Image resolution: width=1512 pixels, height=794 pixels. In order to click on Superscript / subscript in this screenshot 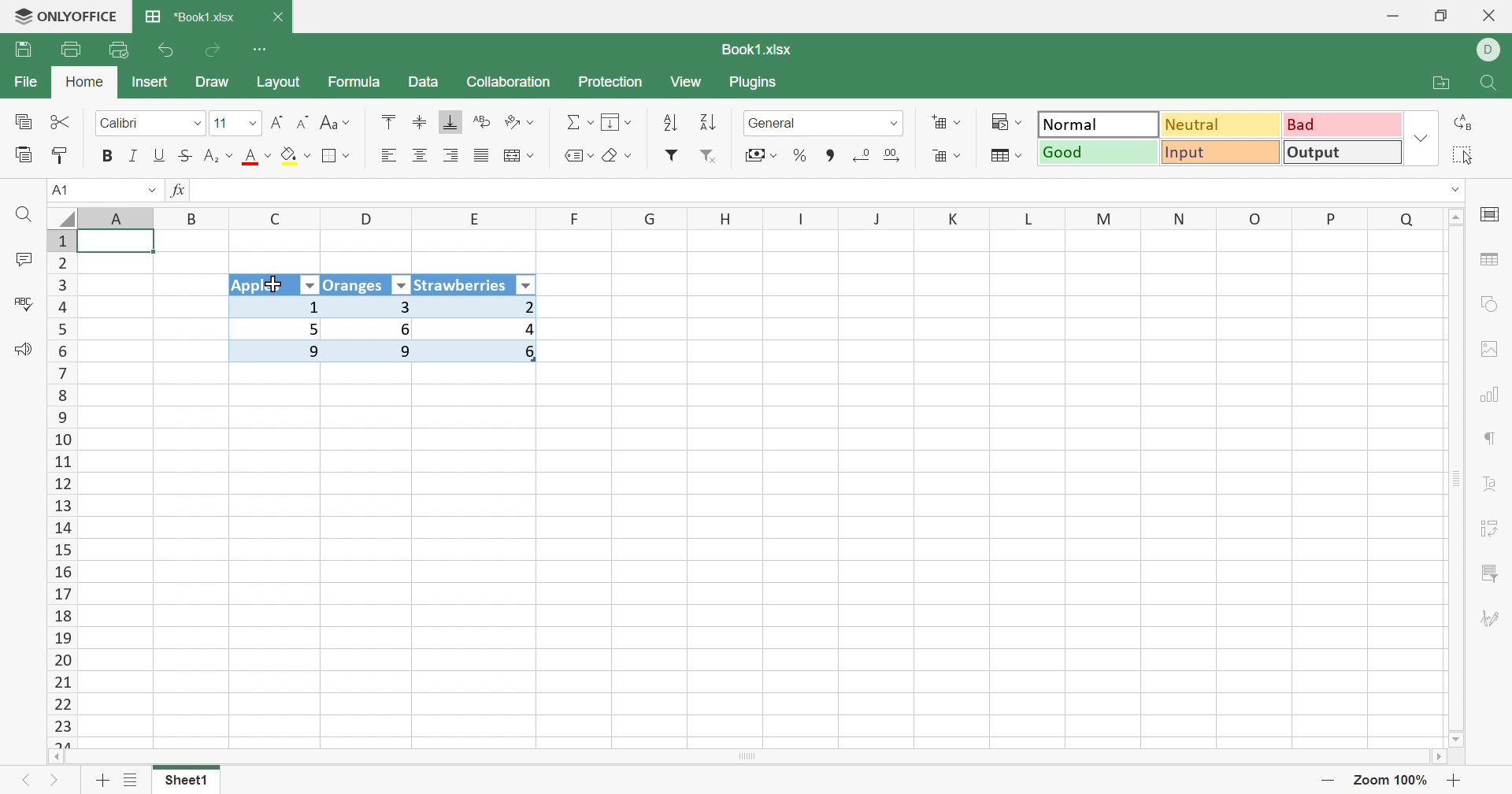, I will do `click(220, 157)`.